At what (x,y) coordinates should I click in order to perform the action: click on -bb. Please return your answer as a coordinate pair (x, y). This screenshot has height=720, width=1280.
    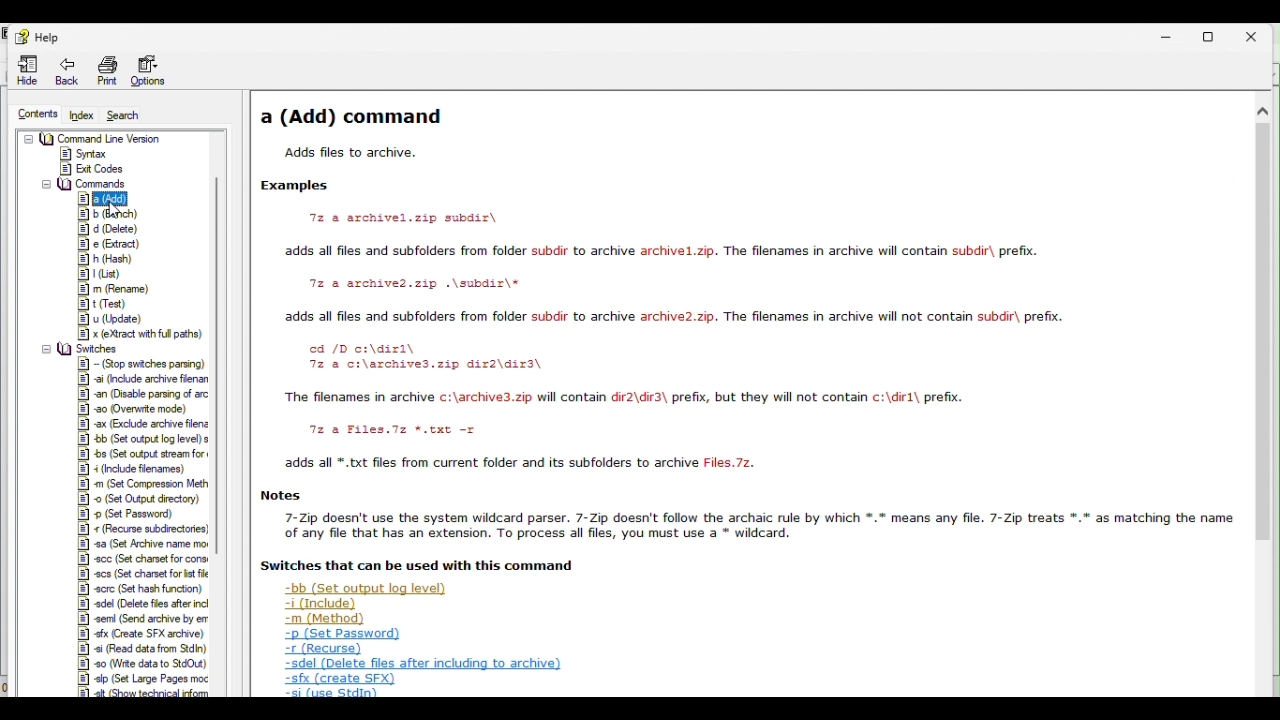
    Looking at the image, I should click on (144, 439).